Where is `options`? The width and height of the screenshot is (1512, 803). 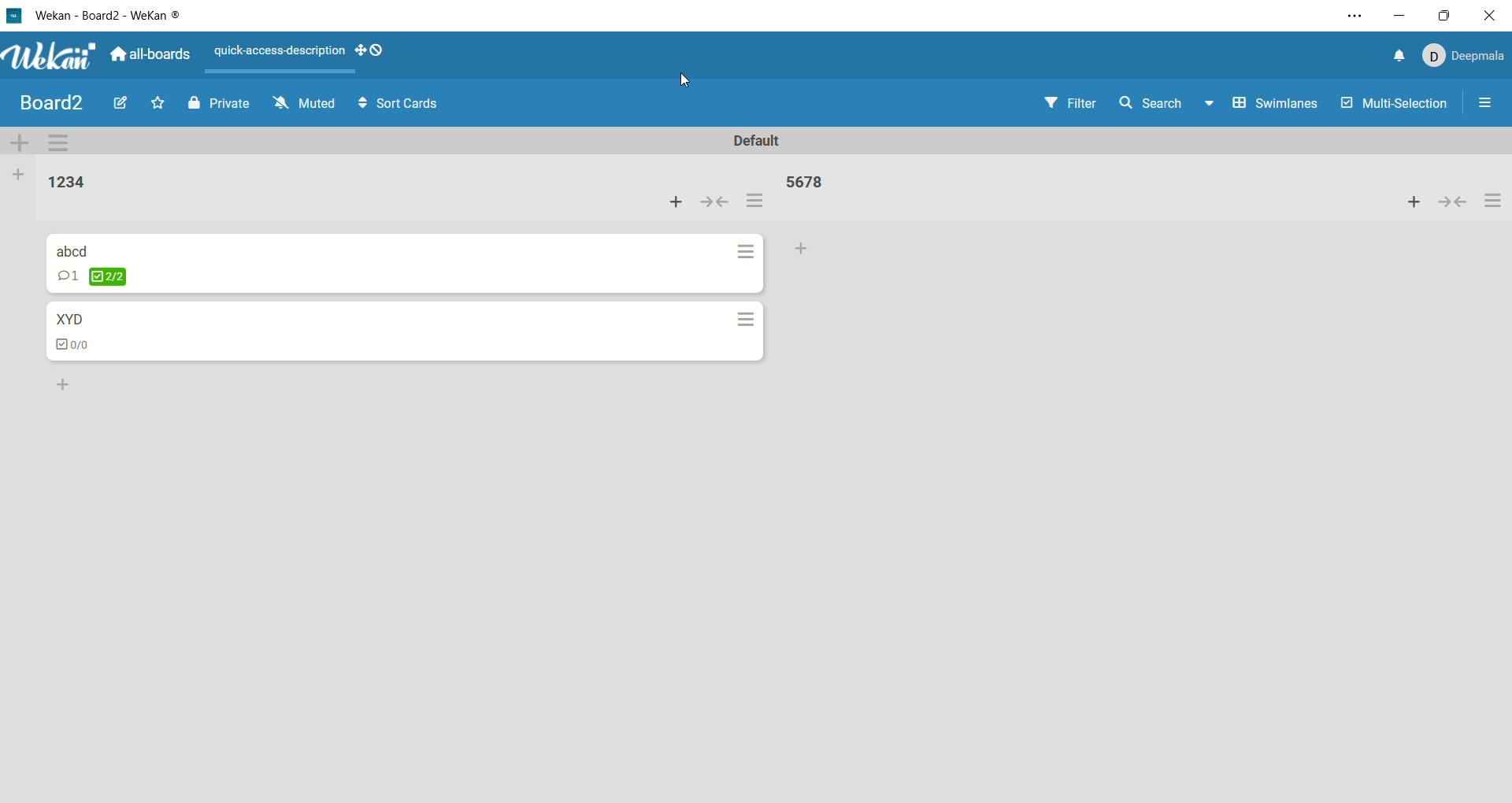 options is located at coordinates (1494, 202).